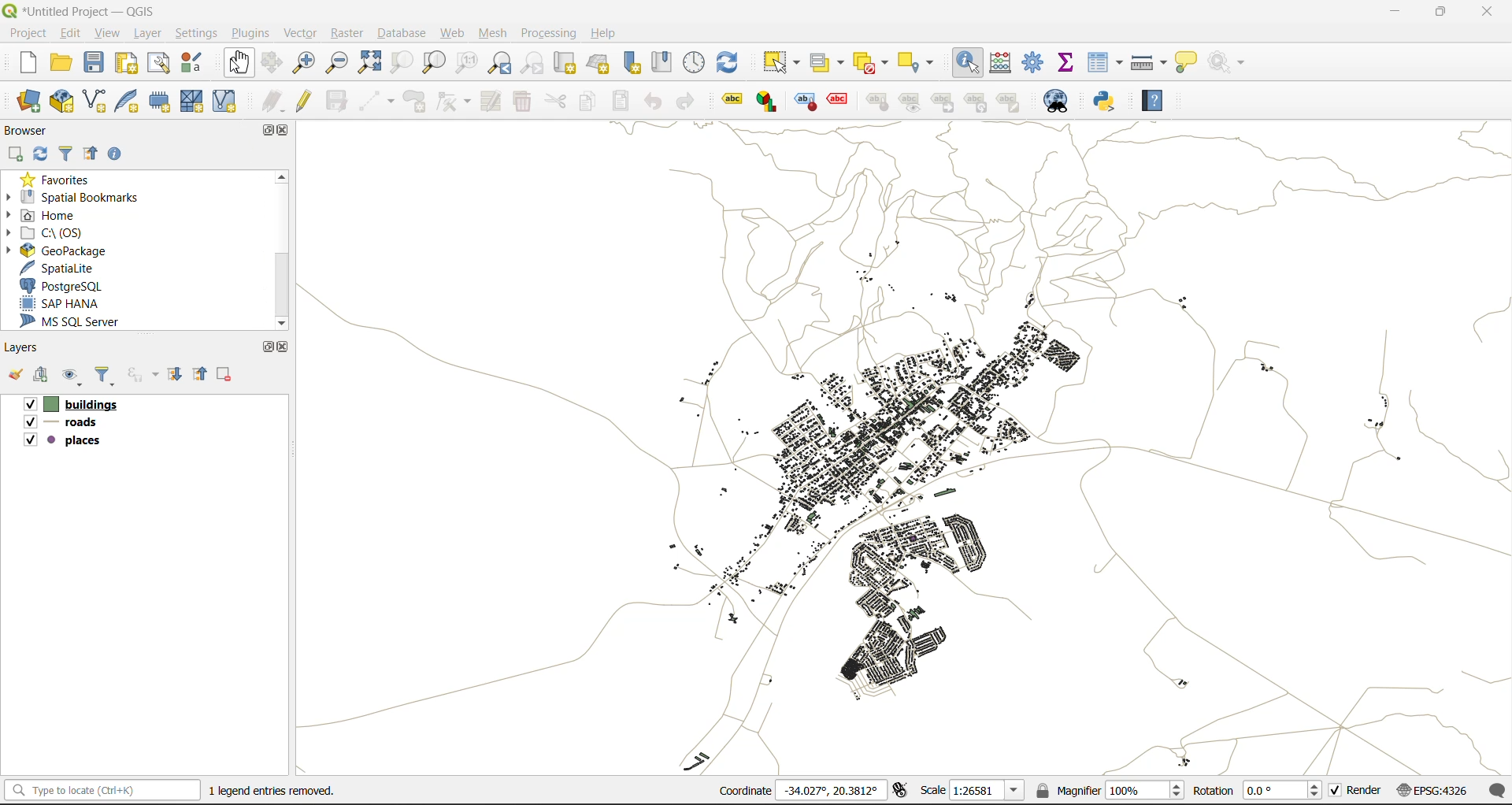  What do you see at coordinates (1108, 101) in the screenshot?
I see `python` at bounding box center [1108, 101].